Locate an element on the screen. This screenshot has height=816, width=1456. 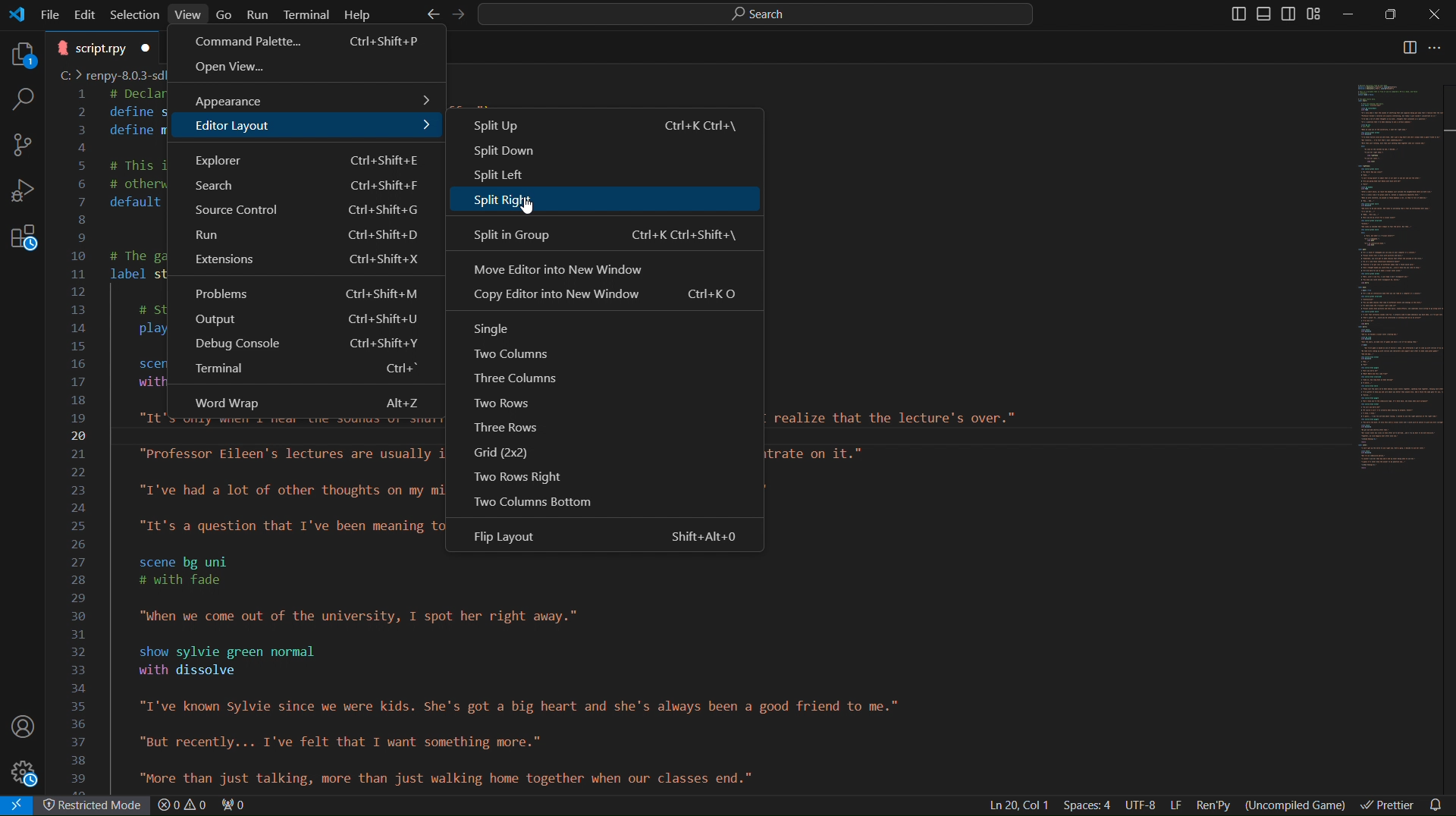
Three Columns is located at coordinates (522, 378).